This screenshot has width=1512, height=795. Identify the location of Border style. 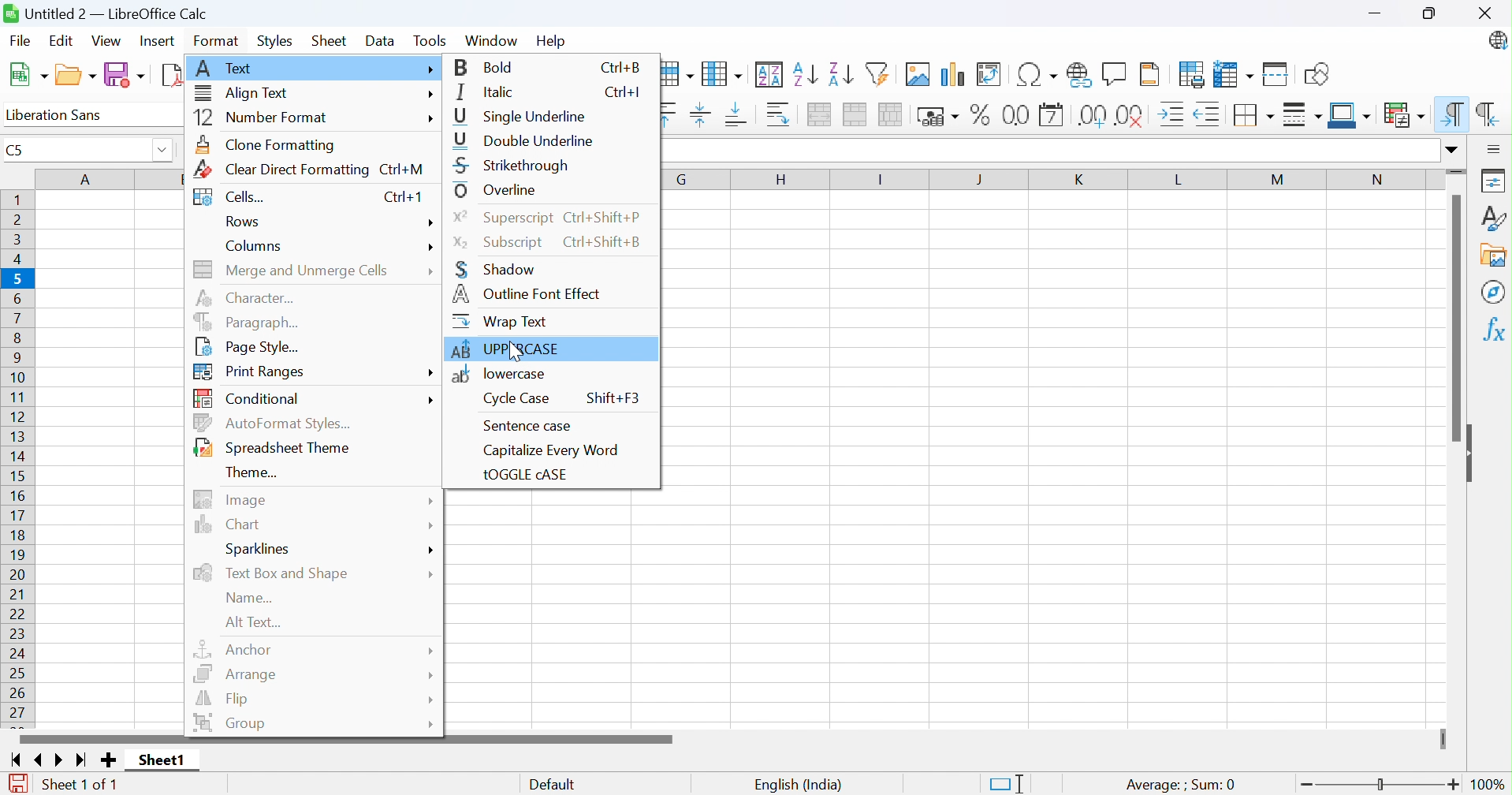
(1302, 114).